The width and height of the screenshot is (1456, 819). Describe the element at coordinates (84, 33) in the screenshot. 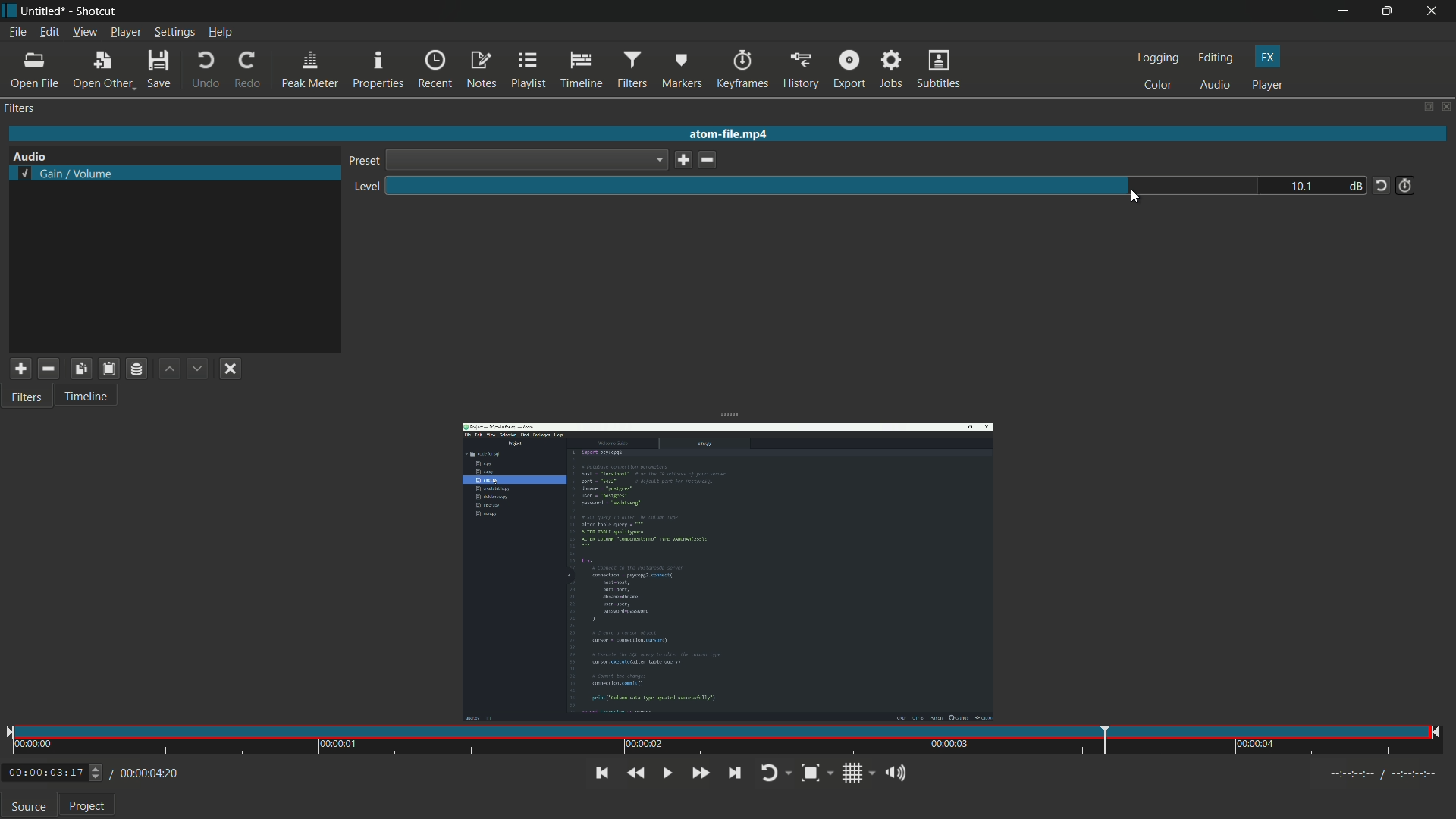

I see `view menu` at that location.